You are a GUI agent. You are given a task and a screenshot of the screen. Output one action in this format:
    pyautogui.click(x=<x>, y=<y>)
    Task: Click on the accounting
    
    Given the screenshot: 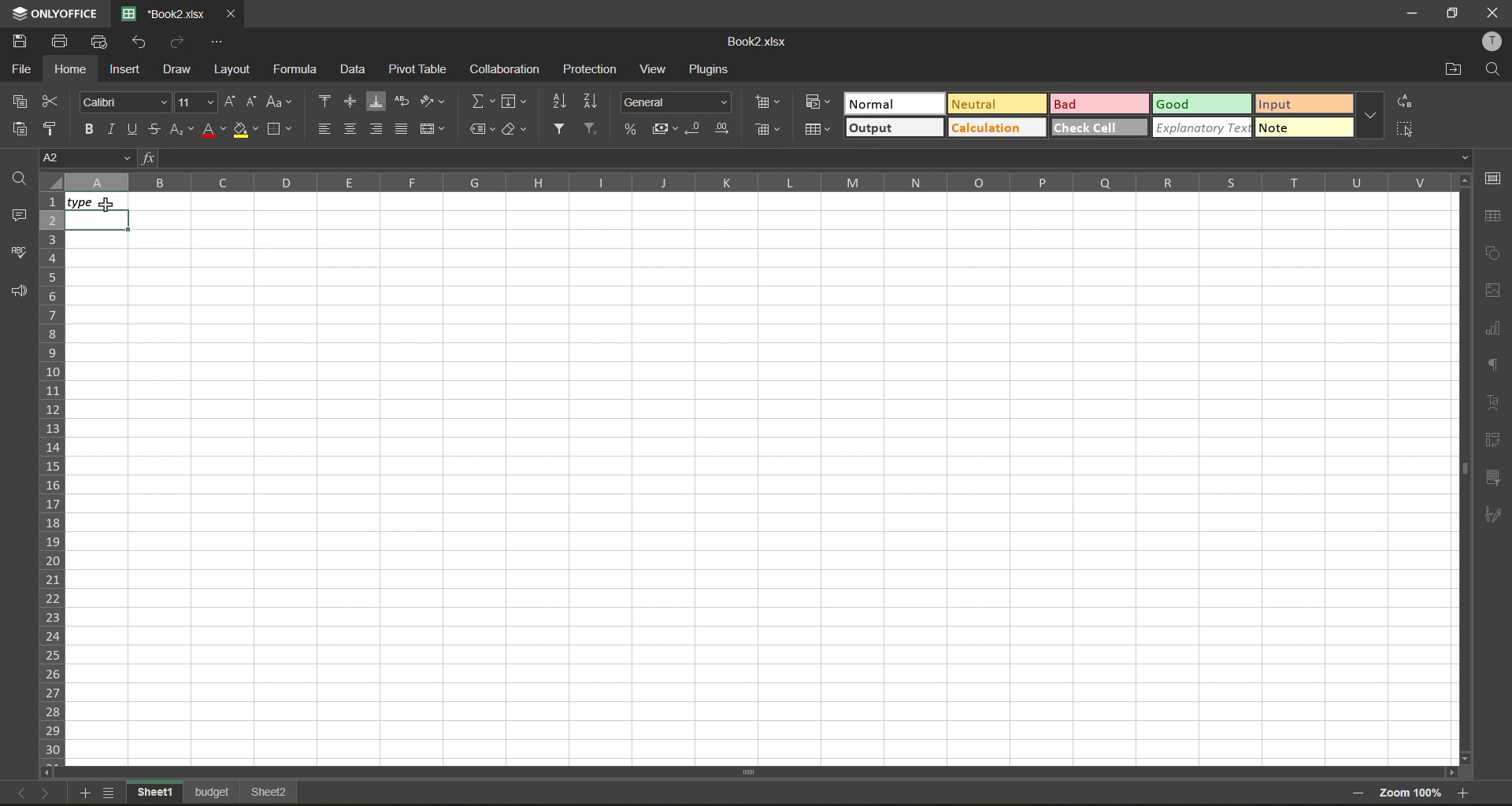 What is the action you would take?
    pyautogui.click(x=667, y=129)
    